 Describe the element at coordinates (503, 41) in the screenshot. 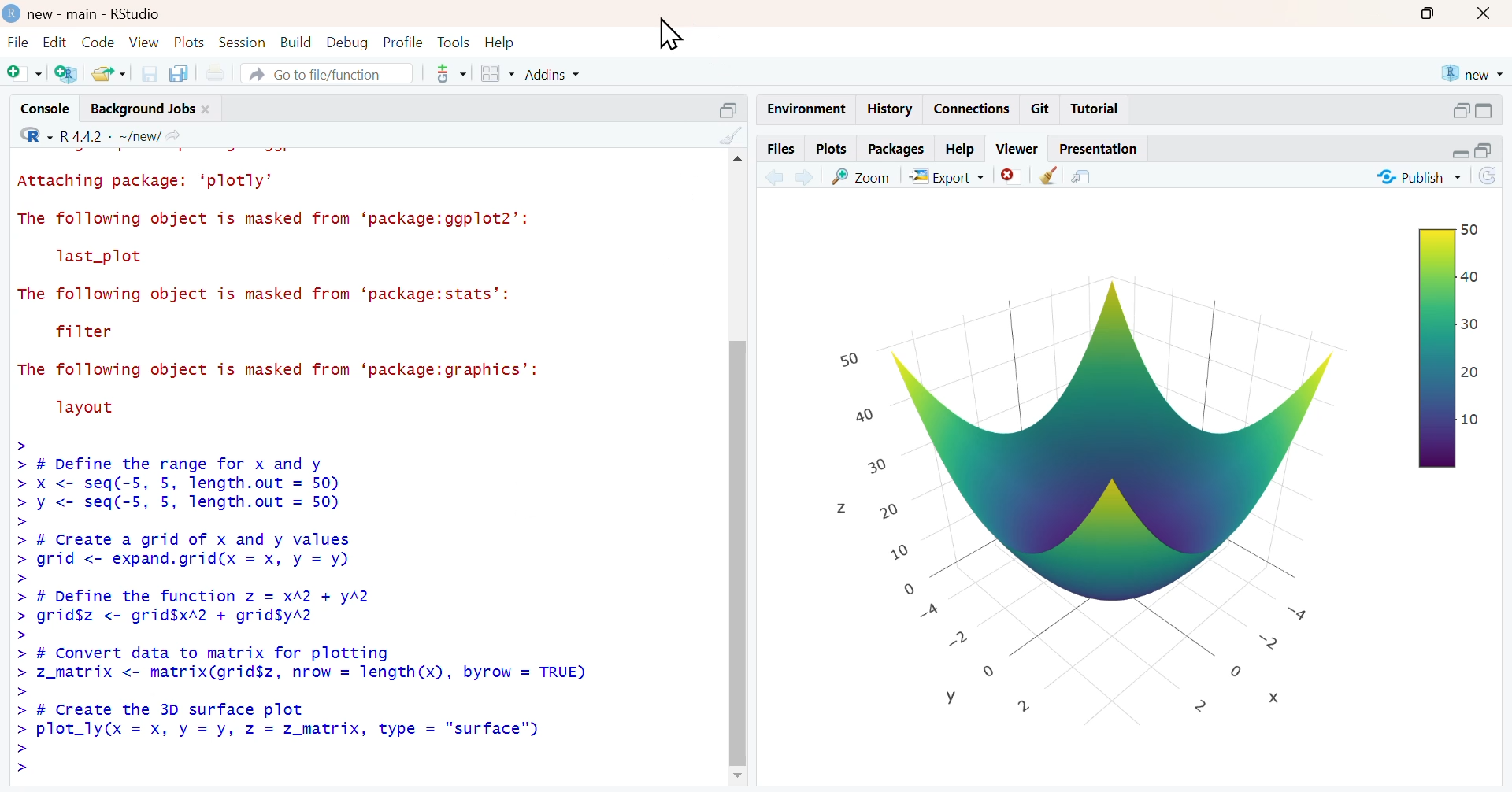

I see `help` at that location.